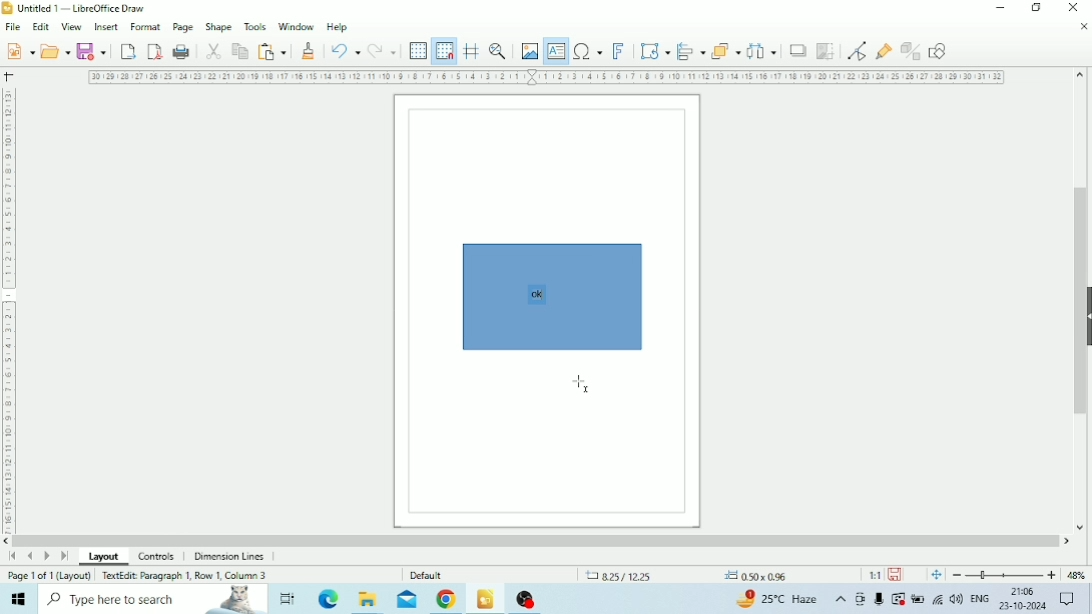  What do you see at coordinates (498, 52) in the screenshot?
I see `Zoom & Pan` at bounding box center [498, 52].